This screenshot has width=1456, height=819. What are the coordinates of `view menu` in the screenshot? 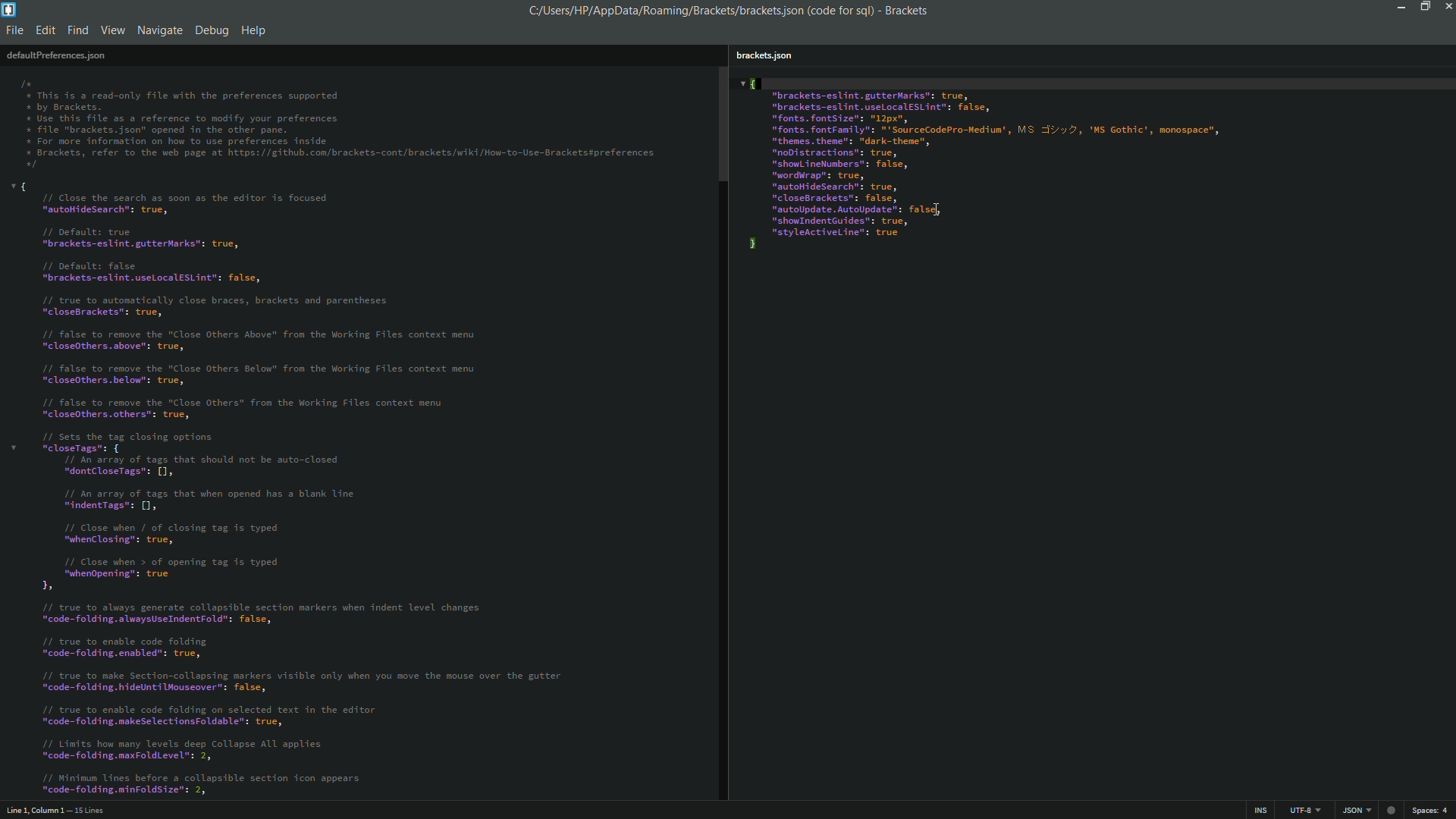 It's located at (113, 30).